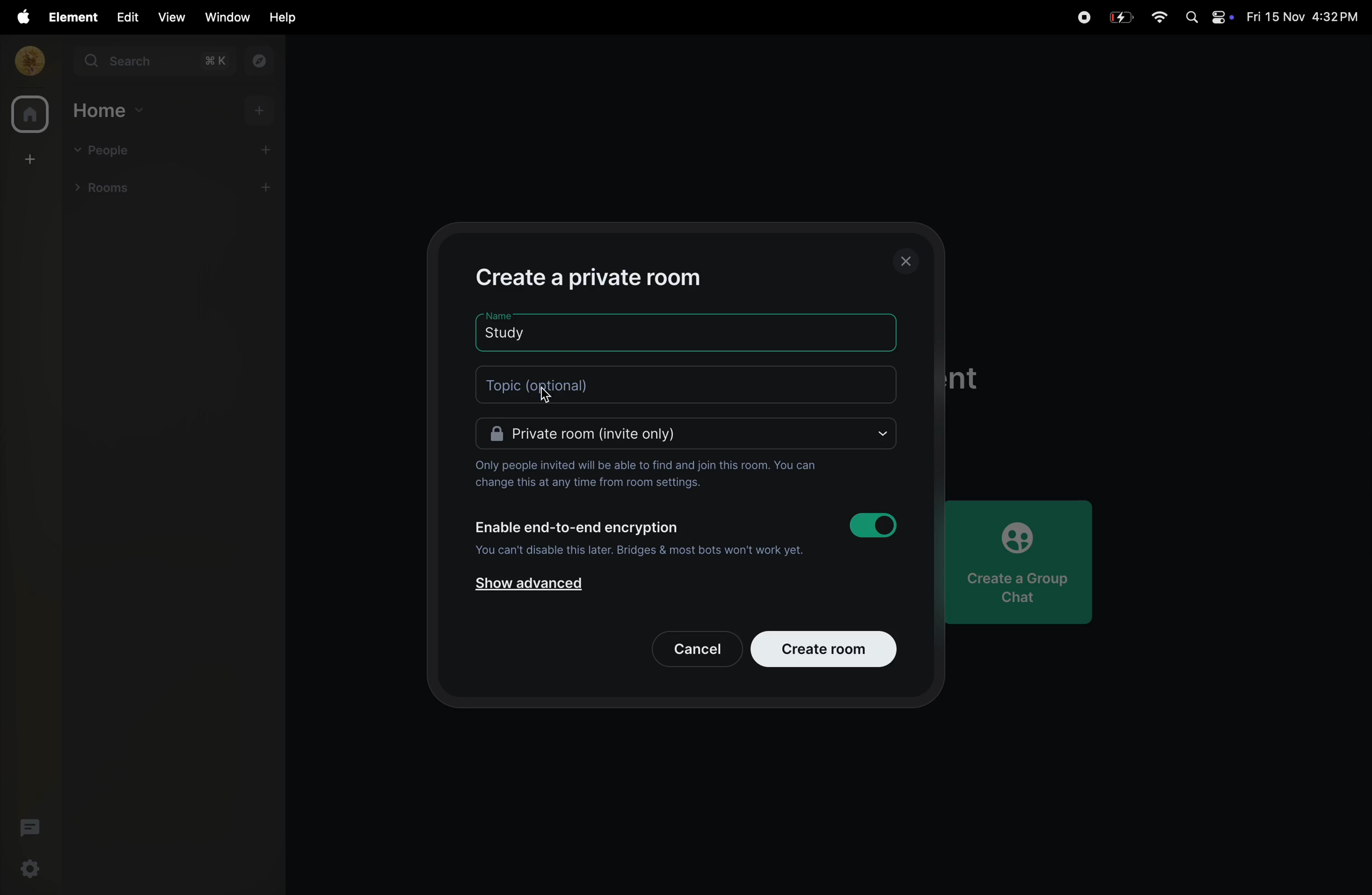  I want to click on toggle on, so click(877, 525).